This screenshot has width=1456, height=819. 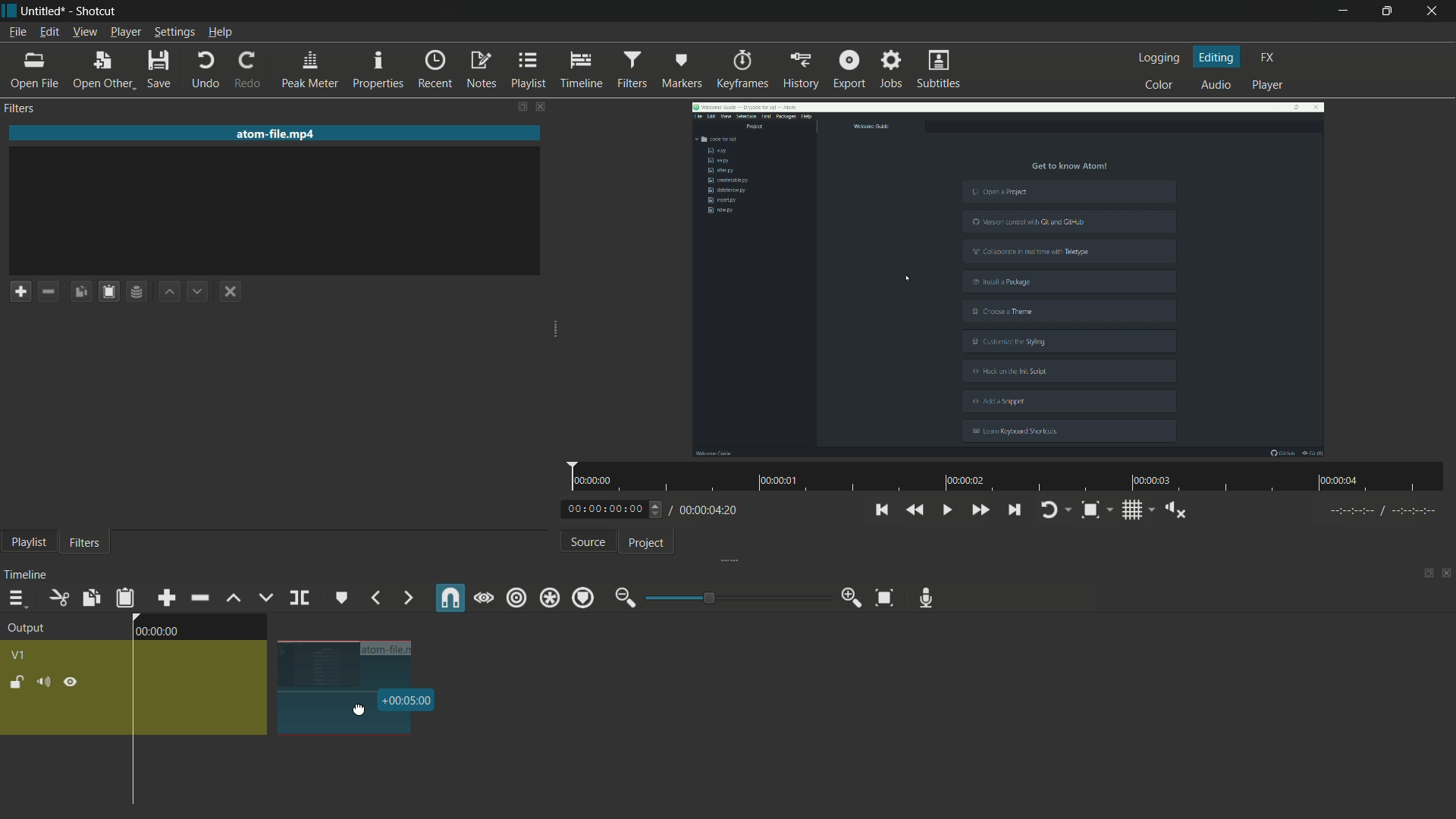 What do you see at coordinates (83, 543) in the screenshot?
I see `filters` at bounding box center [83, 543].